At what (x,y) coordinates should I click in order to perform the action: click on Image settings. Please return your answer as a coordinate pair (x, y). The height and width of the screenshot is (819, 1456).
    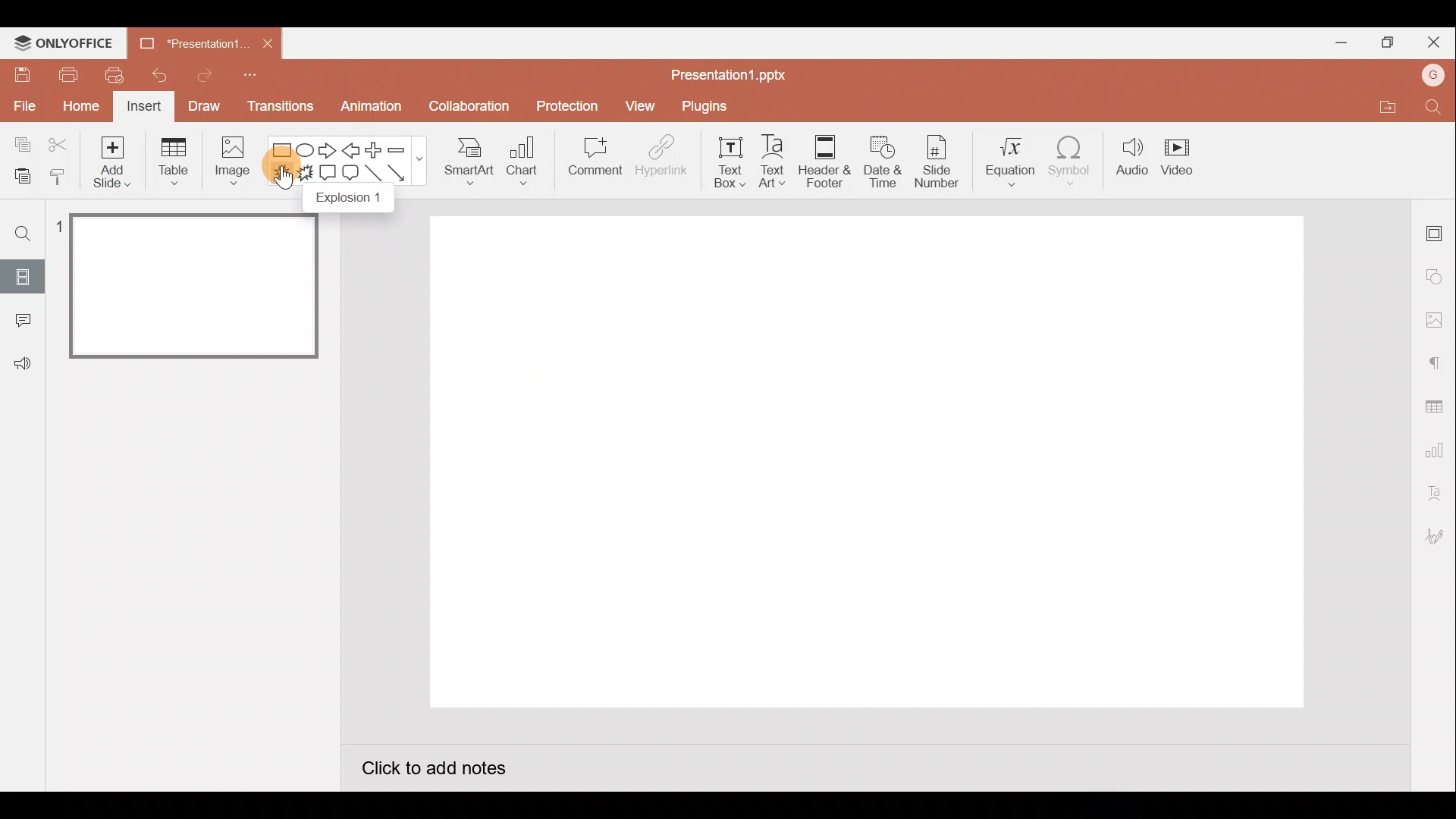
    Looking at the image, I should click on (1432, 318).